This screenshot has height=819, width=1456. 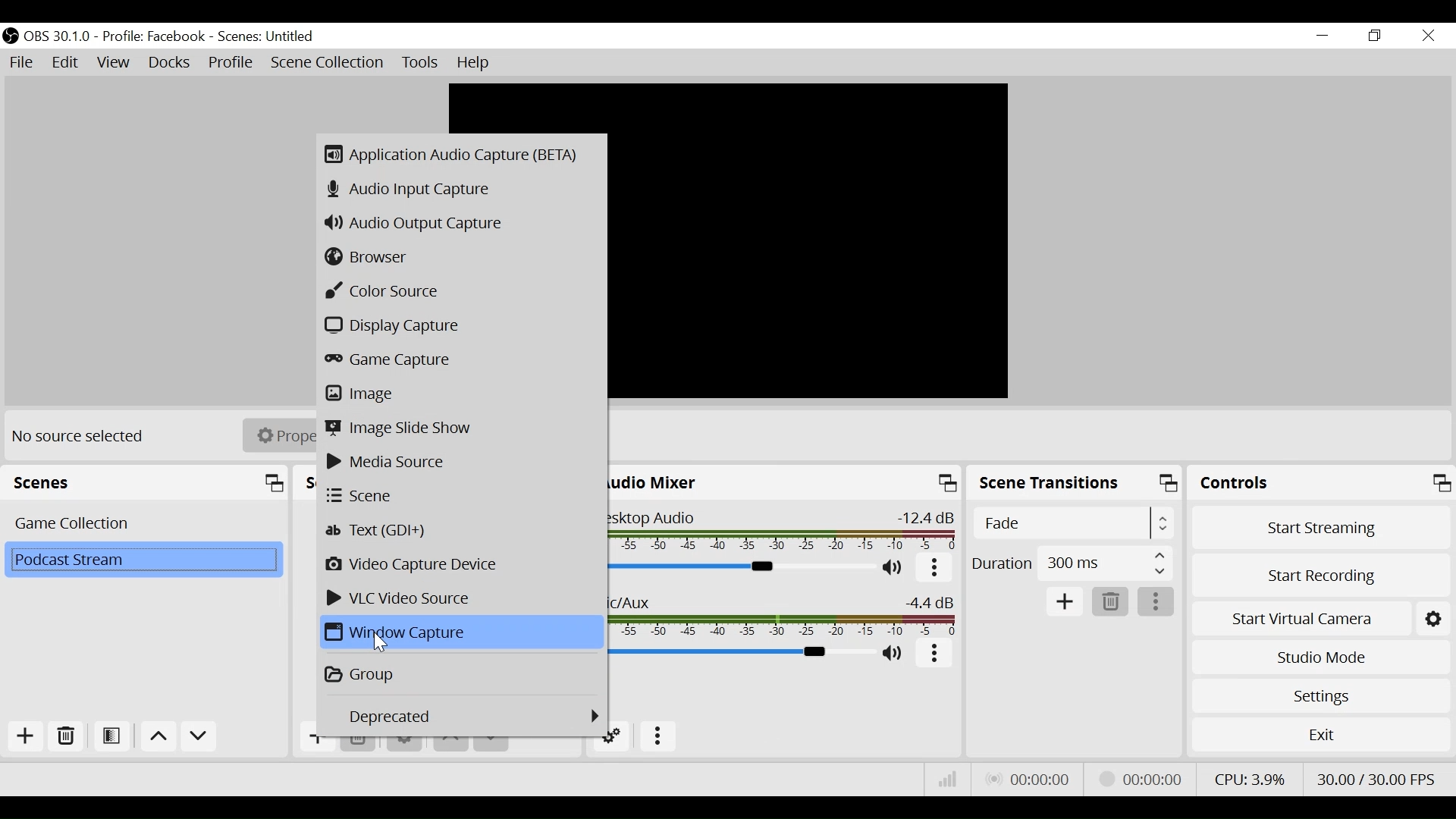 What do you see at coordinates (173, 36) in the screenshot?
I see `OBS 30.1.0 - Profile Facebook - Scenes Untitled` at bounding box center [173, 36].